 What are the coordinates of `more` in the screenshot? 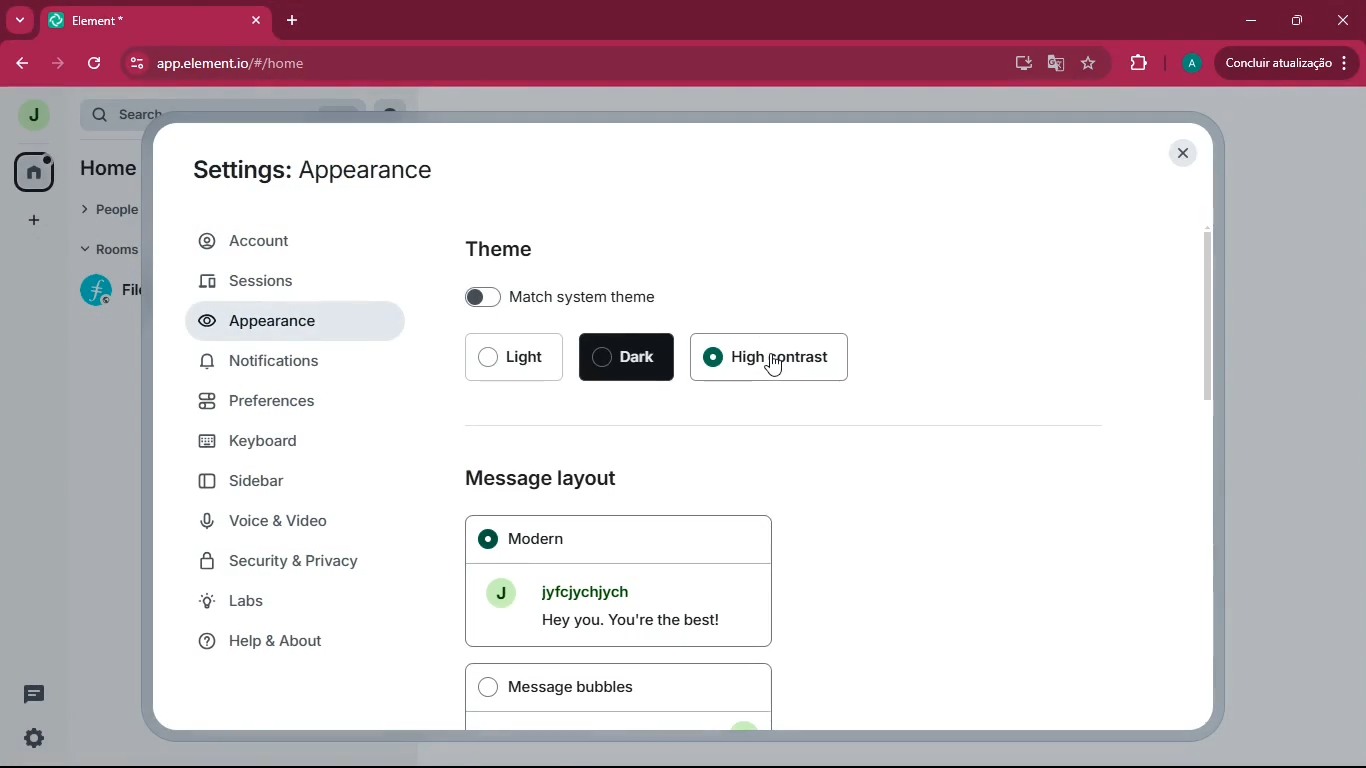 It's located at (21, 19).